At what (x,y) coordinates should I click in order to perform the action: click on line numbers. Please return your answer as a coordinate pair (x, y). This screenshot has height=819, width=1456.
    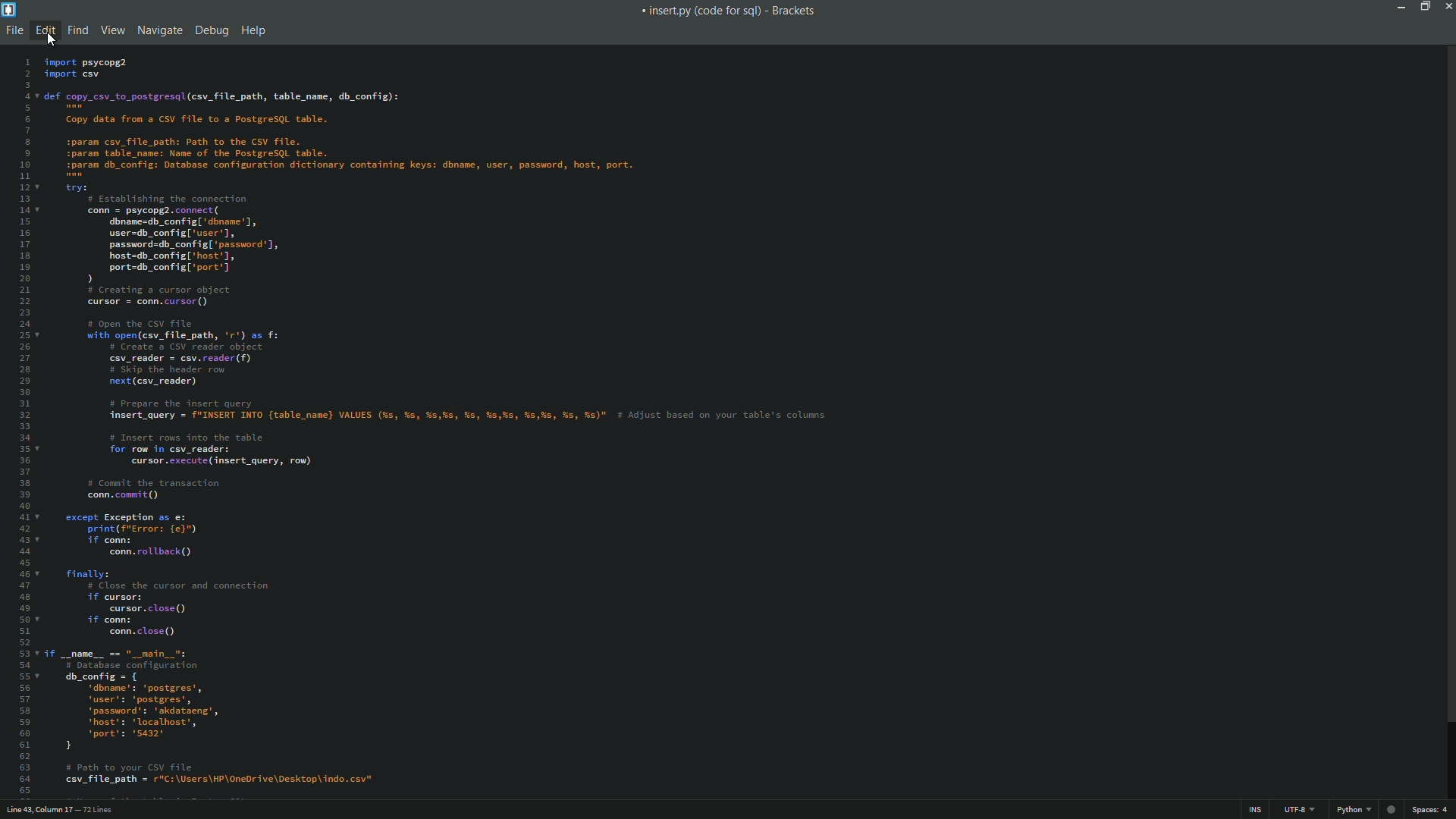
    Looking at the image, I should click on (17, 425).